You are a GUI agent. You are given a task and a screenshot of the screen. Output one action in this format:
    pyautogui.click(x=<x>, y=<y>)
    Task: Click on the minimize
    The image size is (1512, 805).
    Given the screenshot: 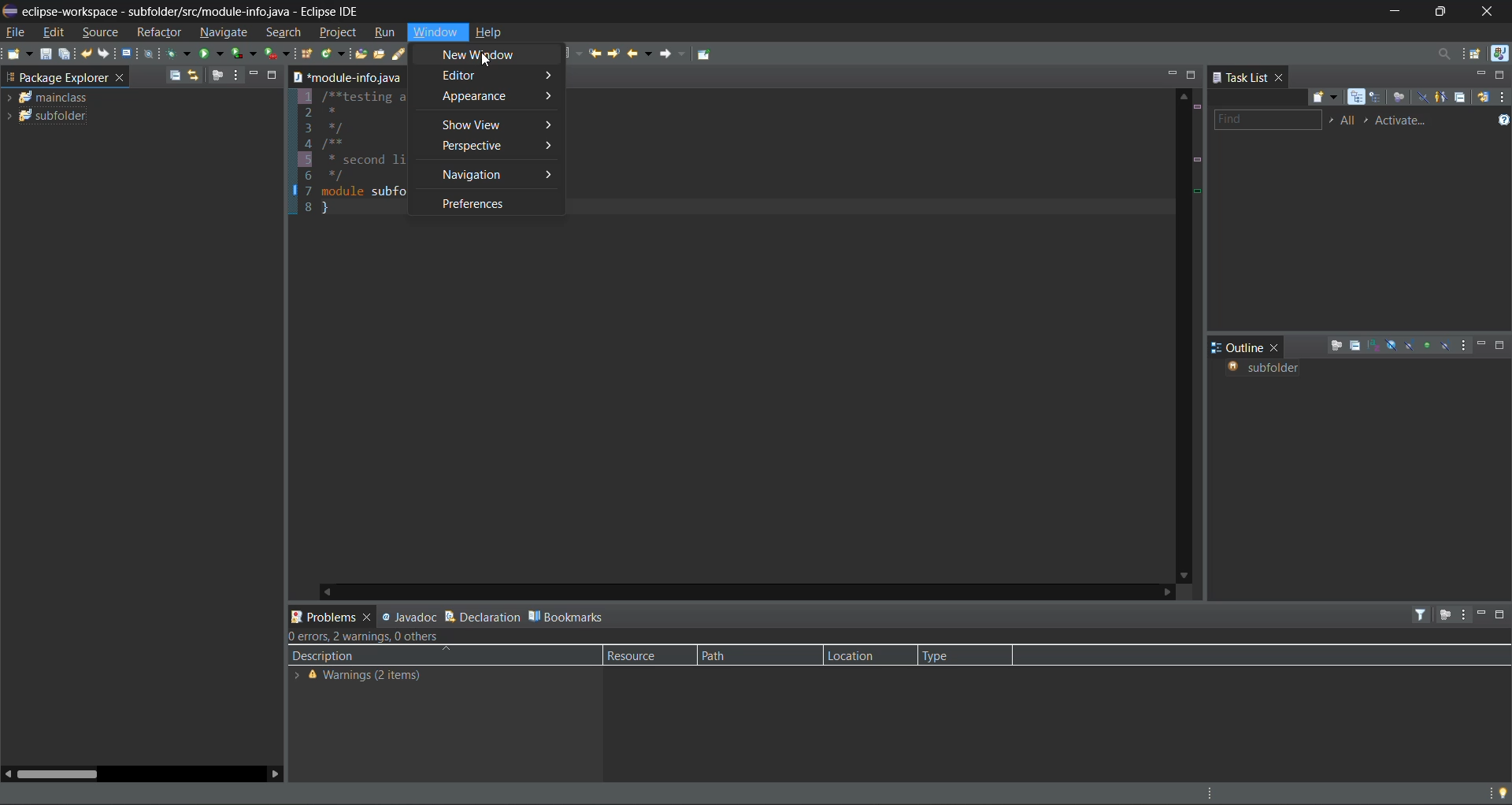 What is the action you would take?
    pyautogui.click(x=254, y=76)
    